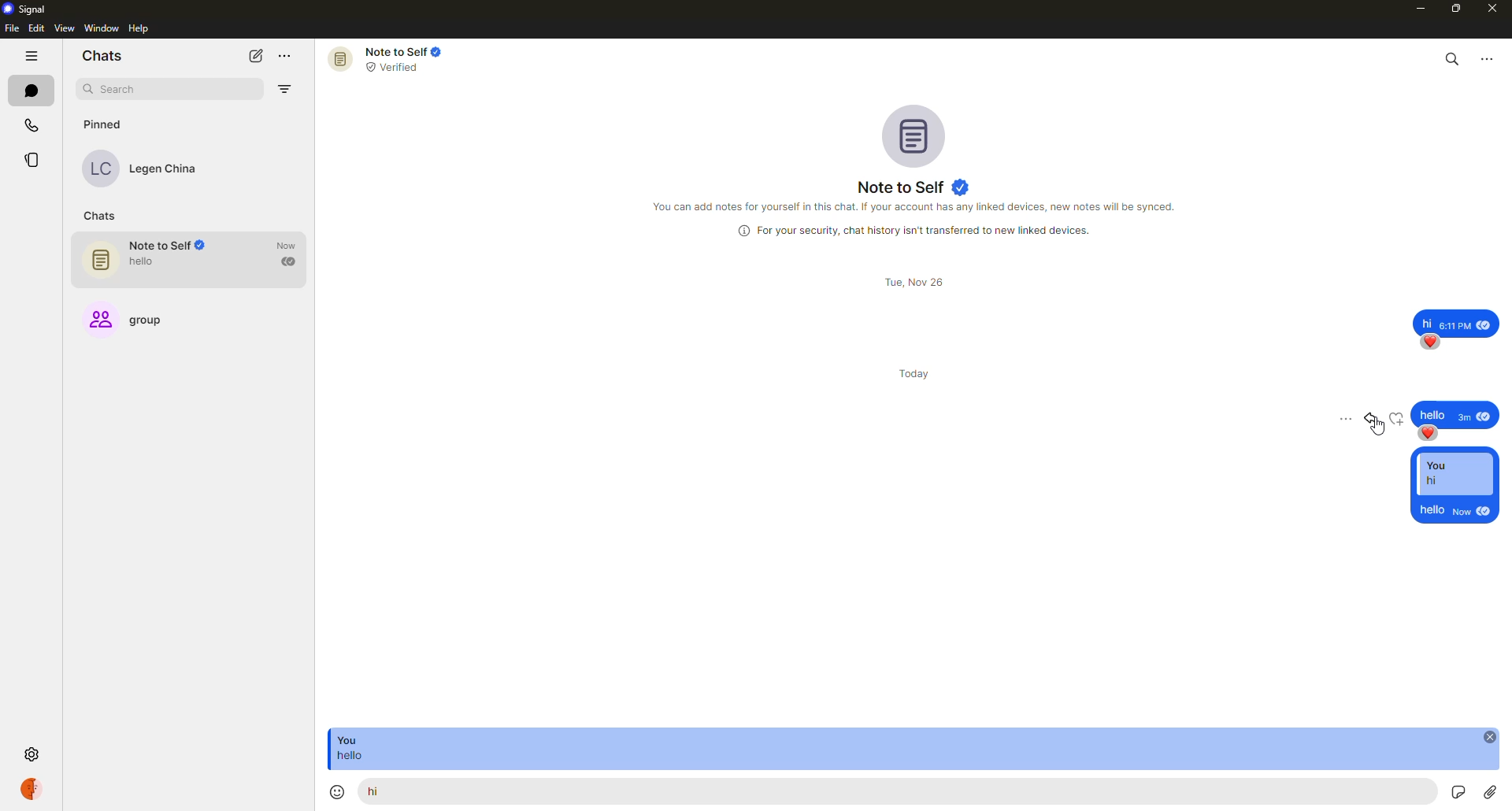 Image resolution: width=1512 pixels, height=811 pixels. What do you see at coordinates (13, 28) in the screenshot?
I see `file` at bounding box center [13, 28].